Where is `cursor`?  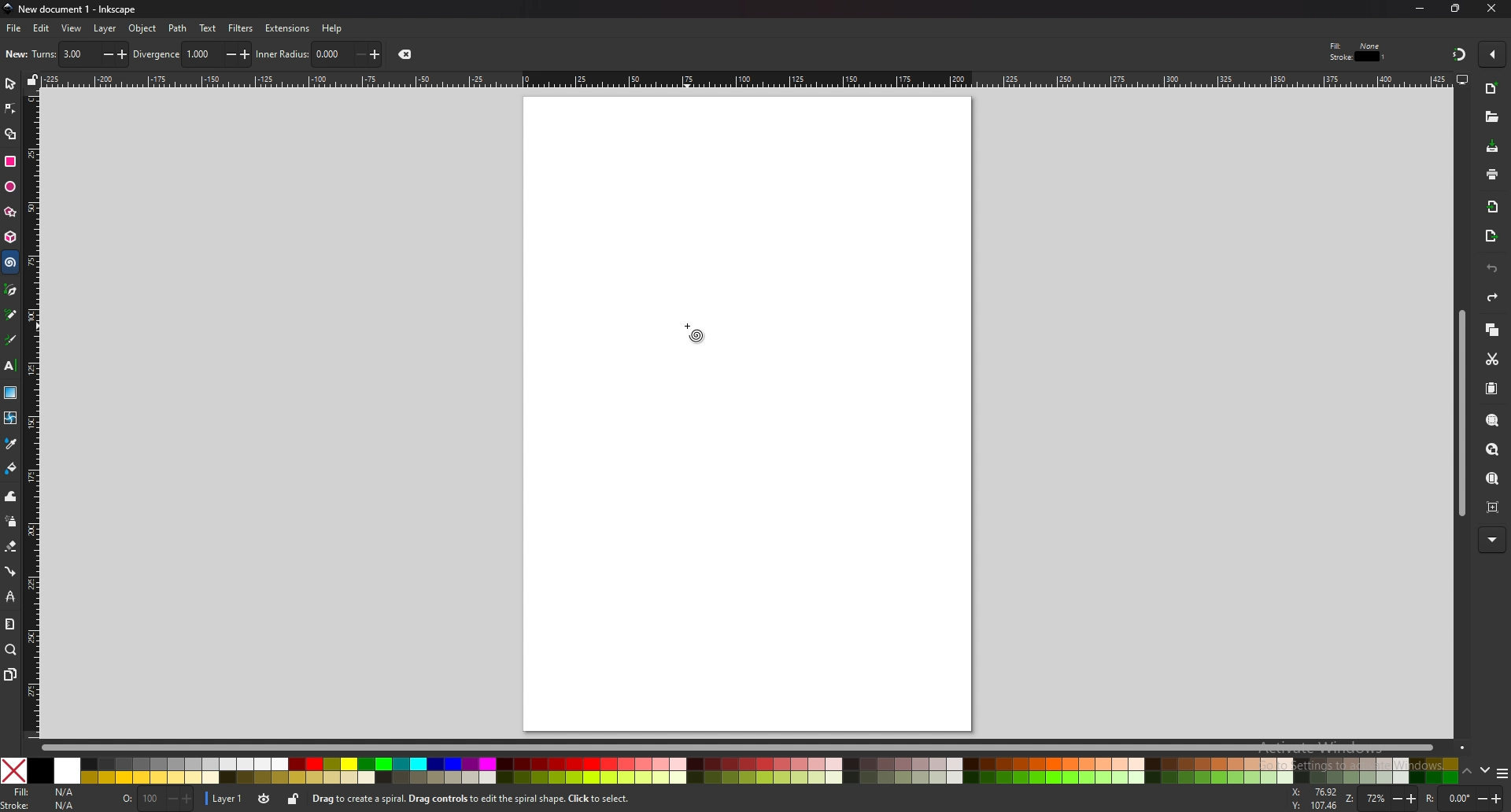
cursor is located at coordinates (693, 330).